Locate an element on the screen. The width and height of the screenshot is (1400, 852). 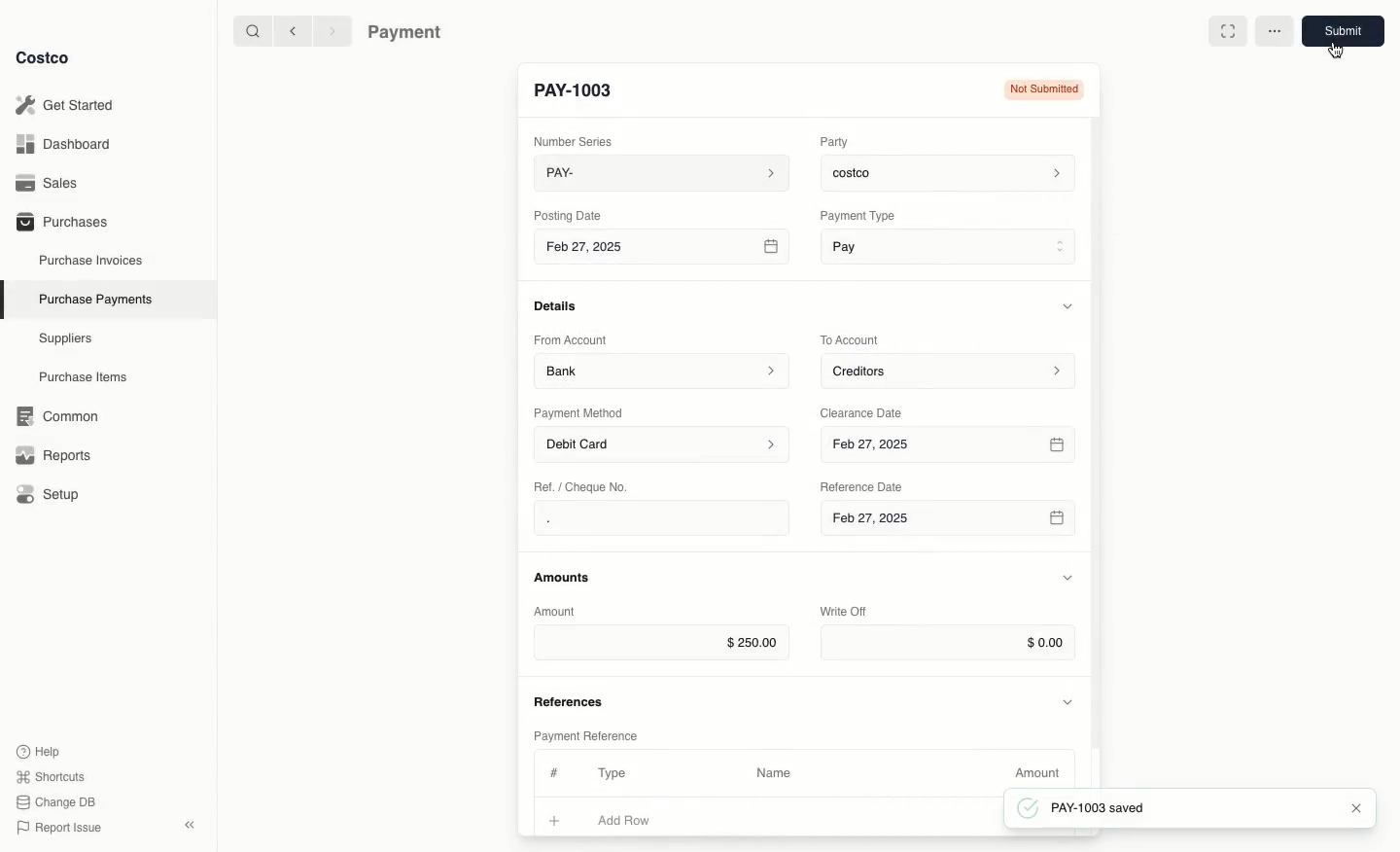
Number Series is located at coordinates (577, 141).